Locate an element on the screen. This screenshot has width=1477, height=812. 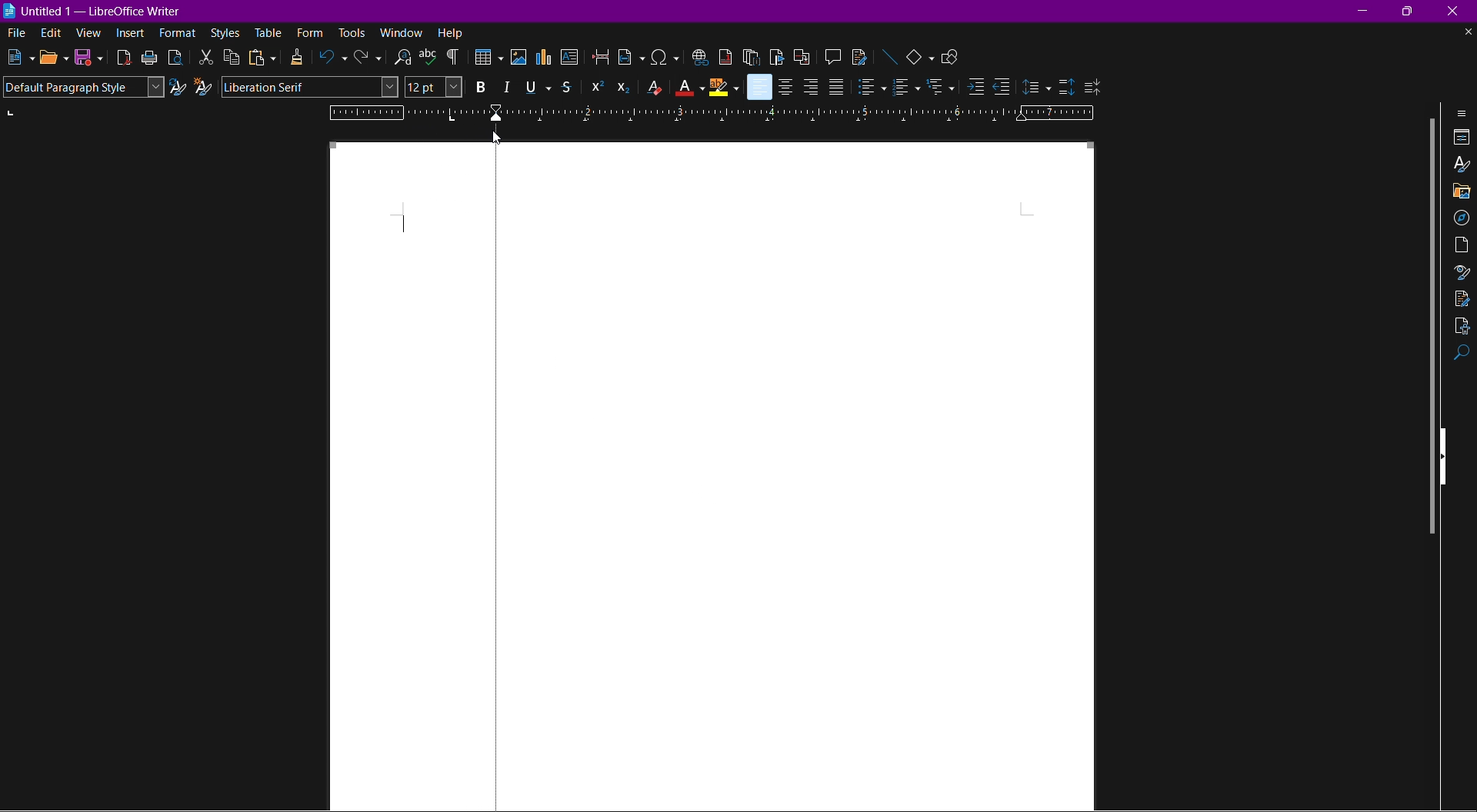
Font Color is located at coordinates (689, 88).